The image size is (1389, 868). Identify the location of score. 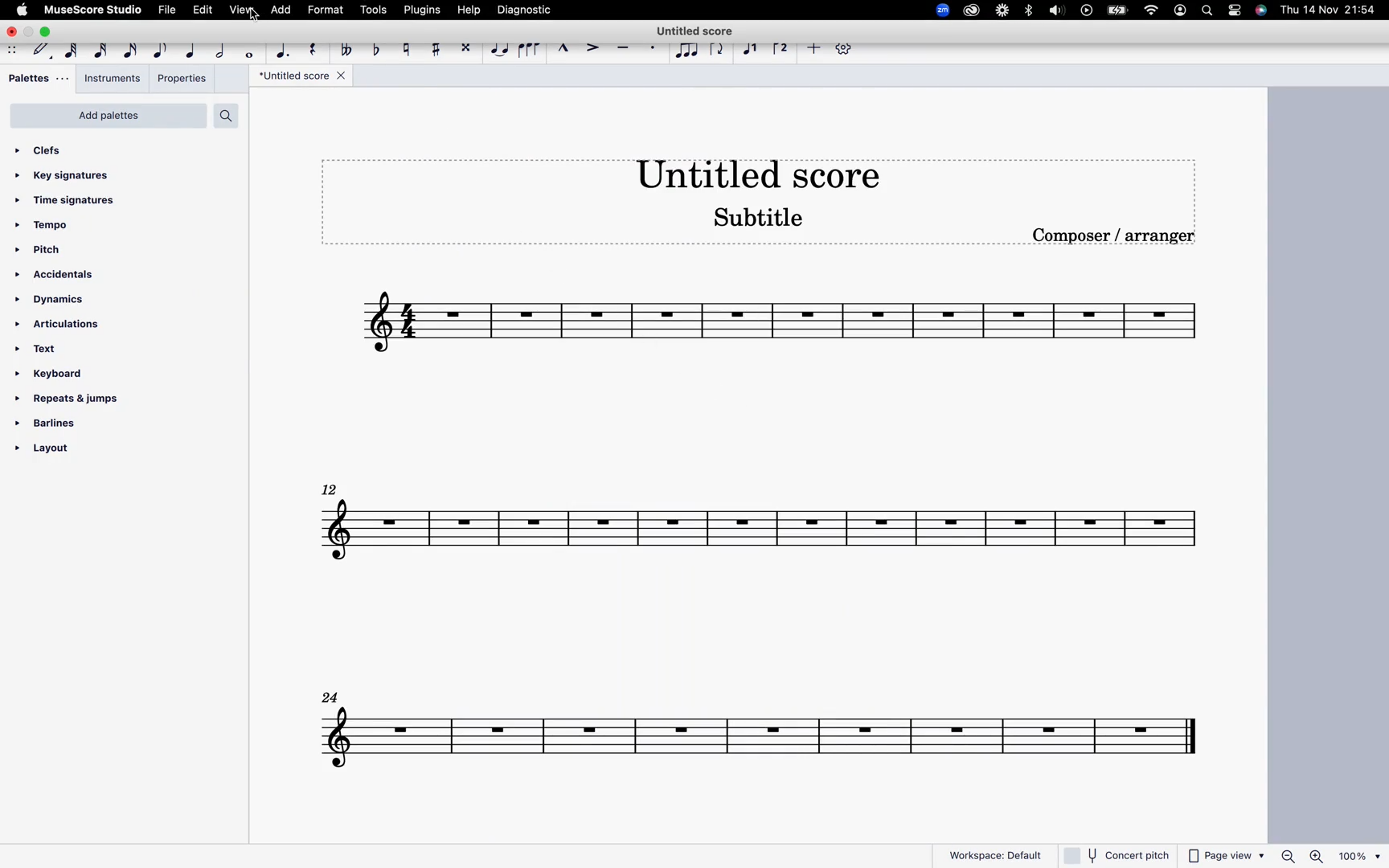
(758, 728).